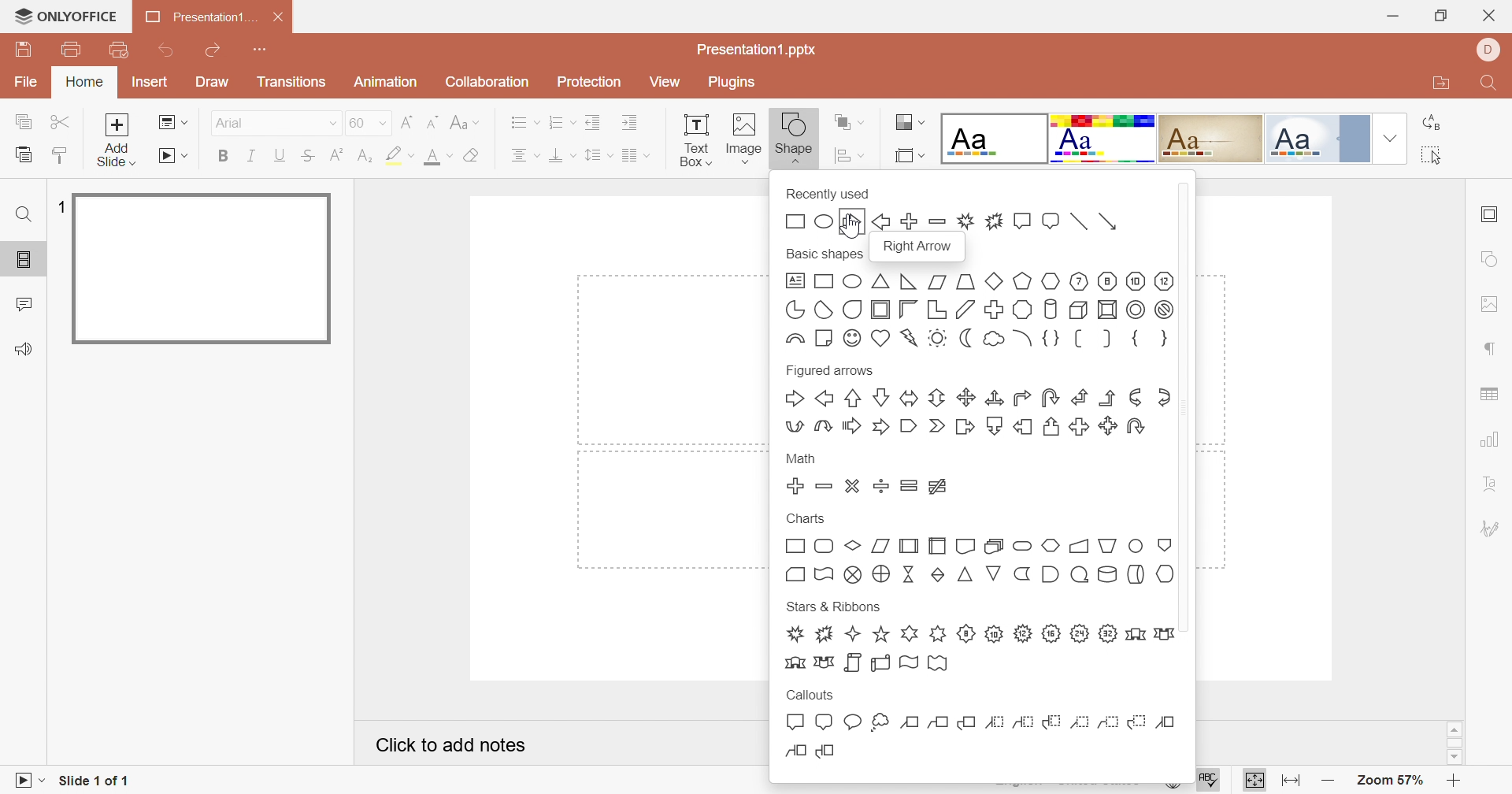  I want to click on Decrement font size, so click(434, 122).